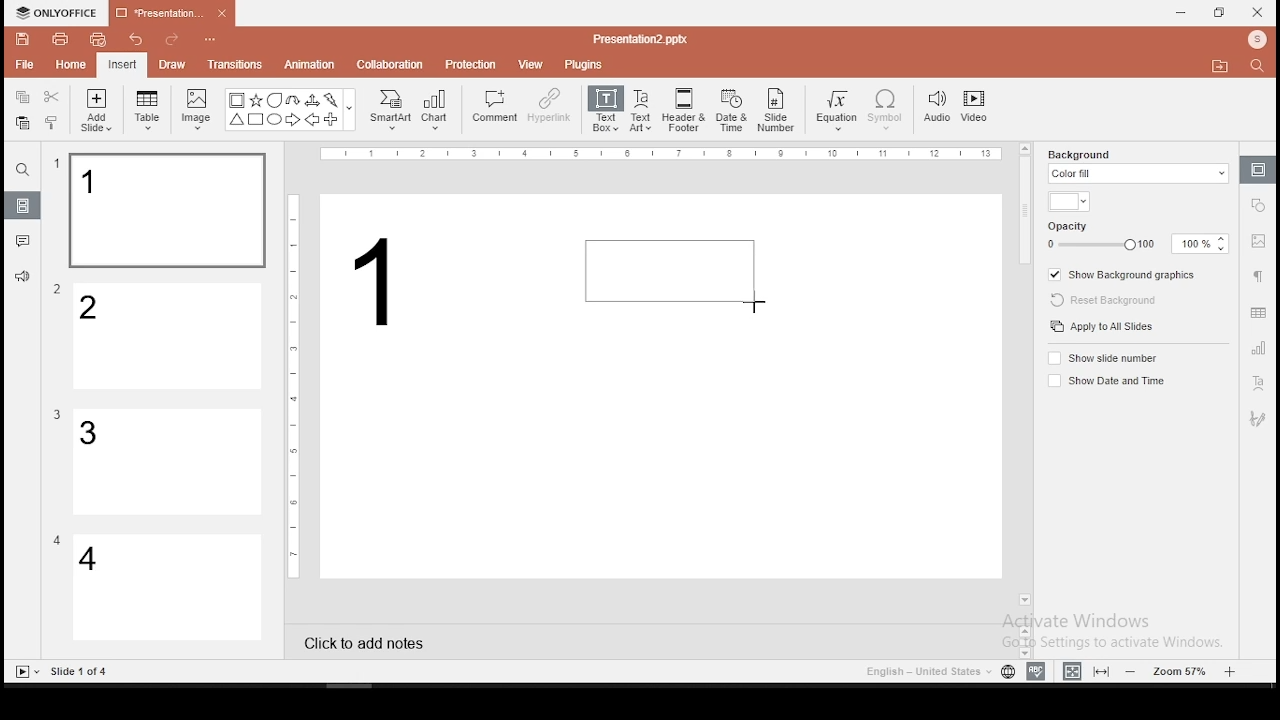  I want to click on collaboration, so click(392, 63).